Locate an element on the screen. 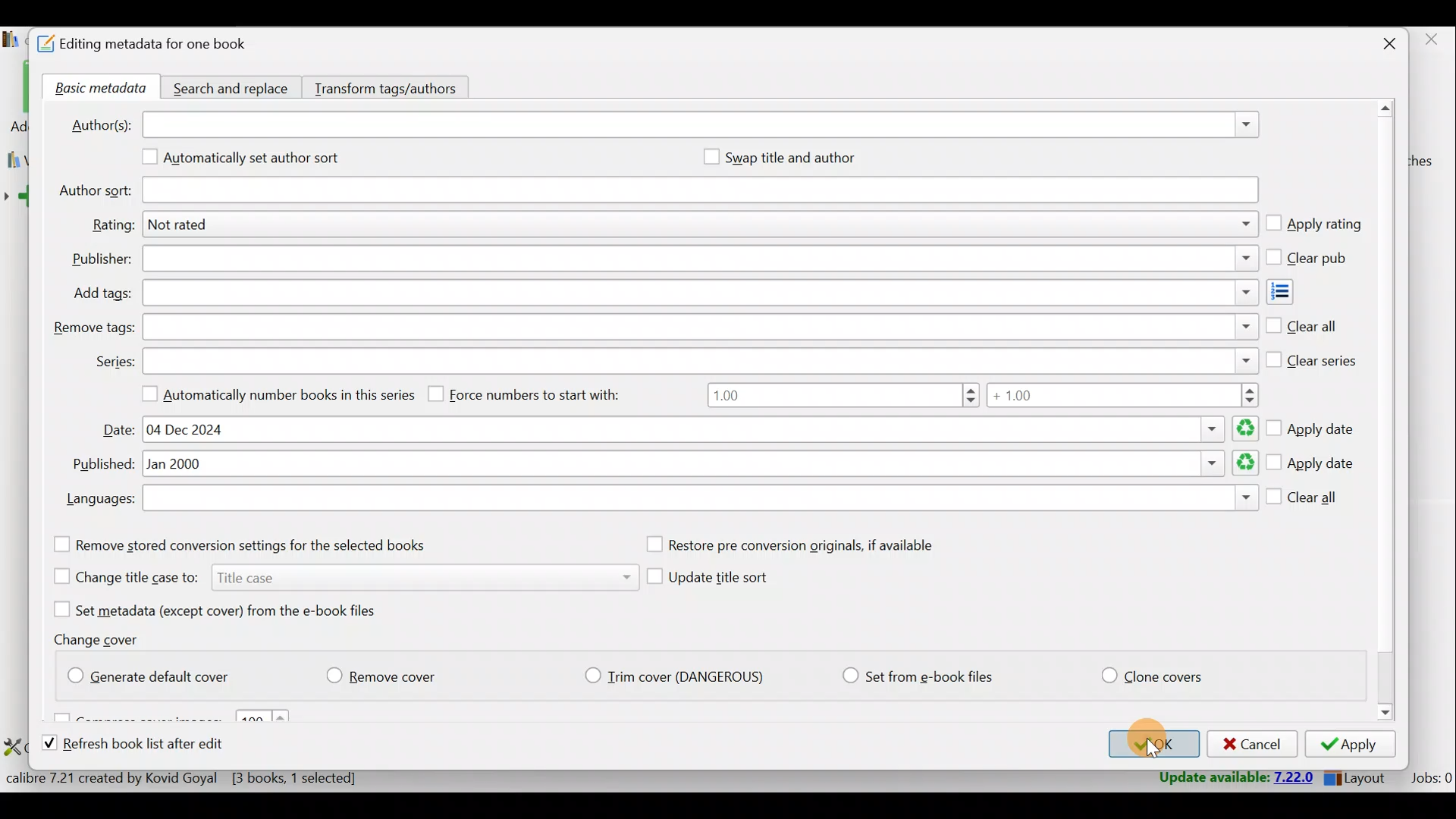 The image size is (1456, 819). Set metadata (except cover) from the e-book files is located at coordinates (234, 609).